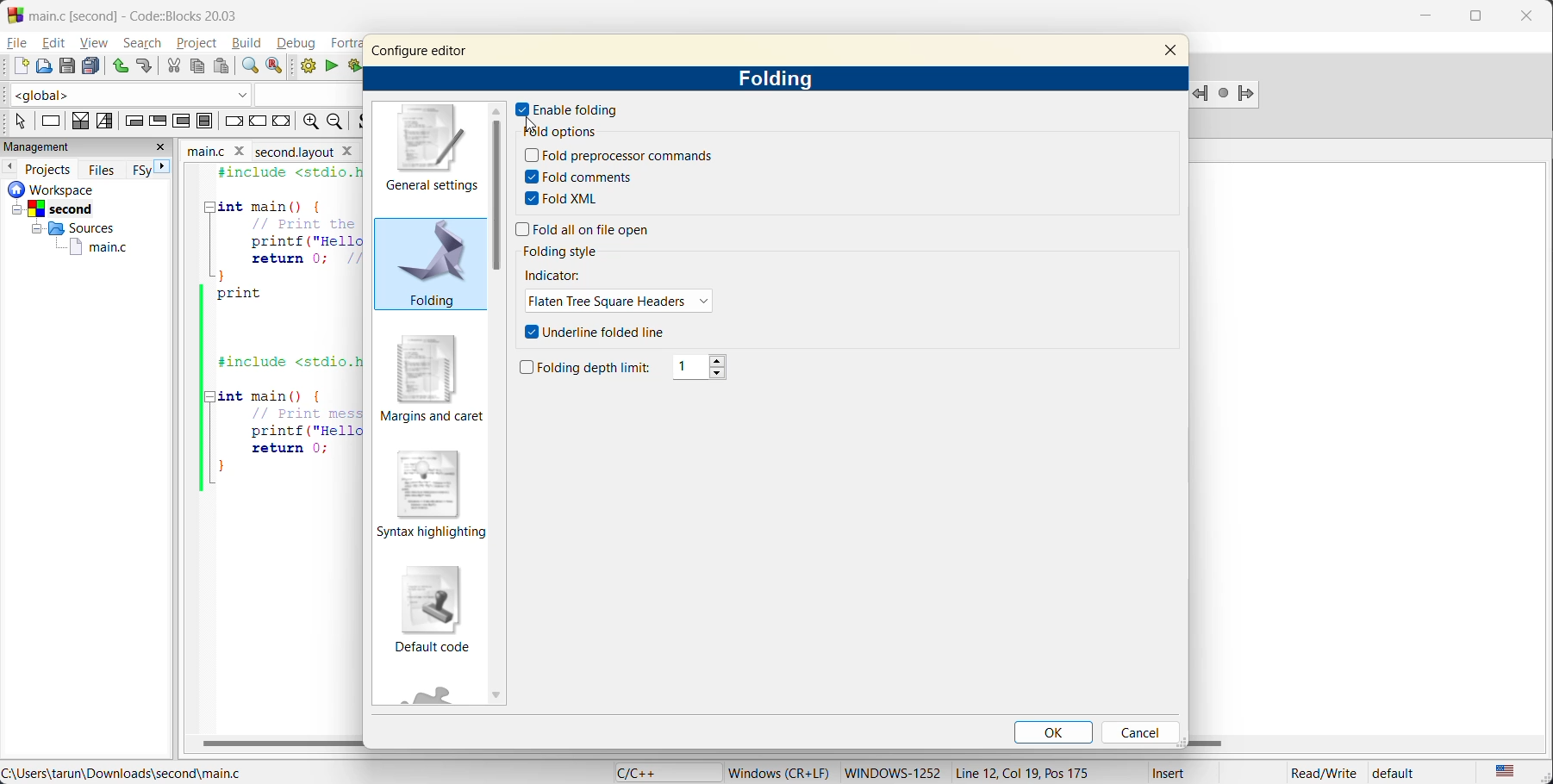 The width and height of the screenshot is (1553, 784). Describe the element at coordinates (131, 772) in the screenshot. I see `file location` at that location.